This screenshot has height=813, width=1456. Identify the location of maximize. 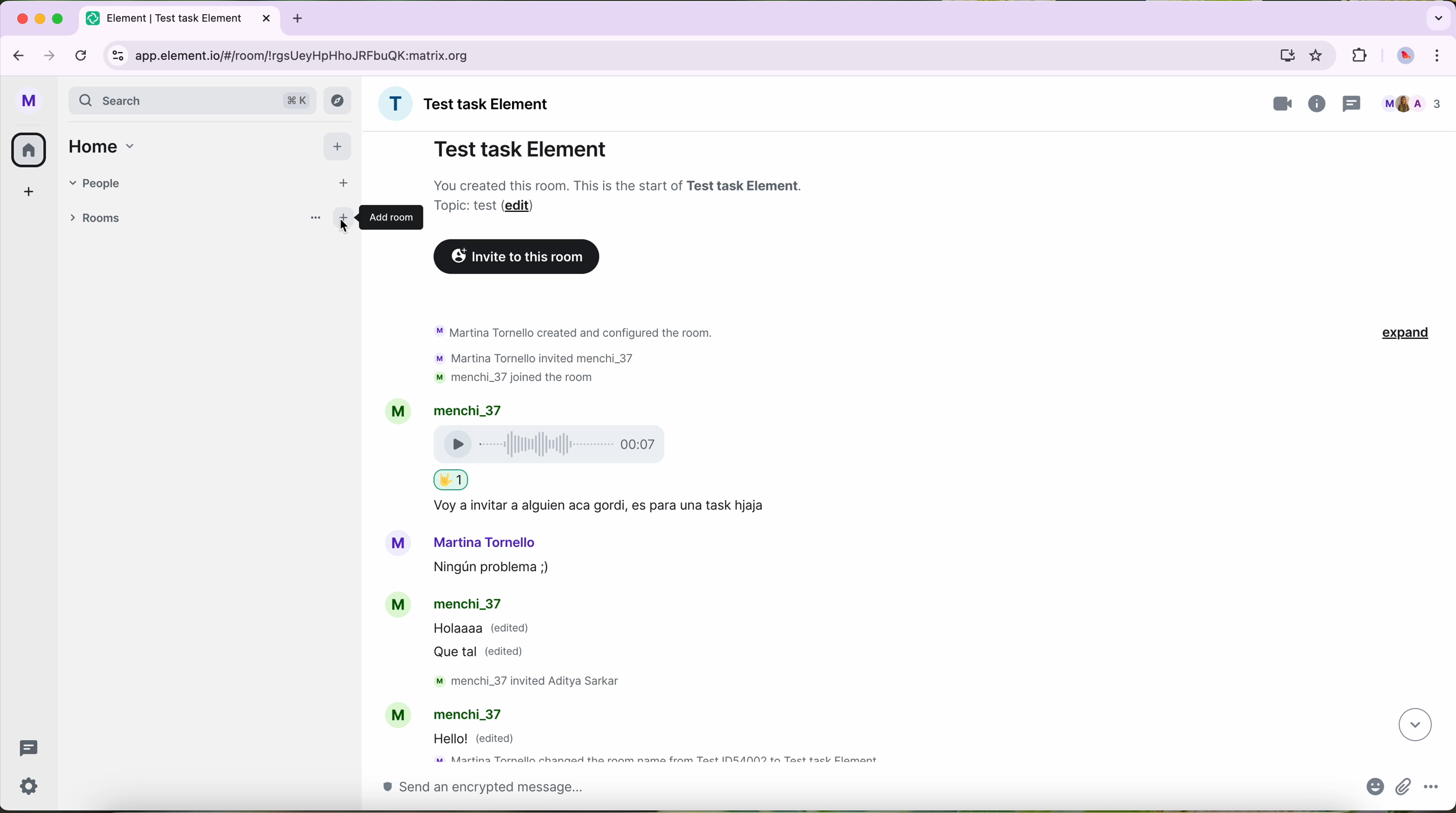
(59, 18).